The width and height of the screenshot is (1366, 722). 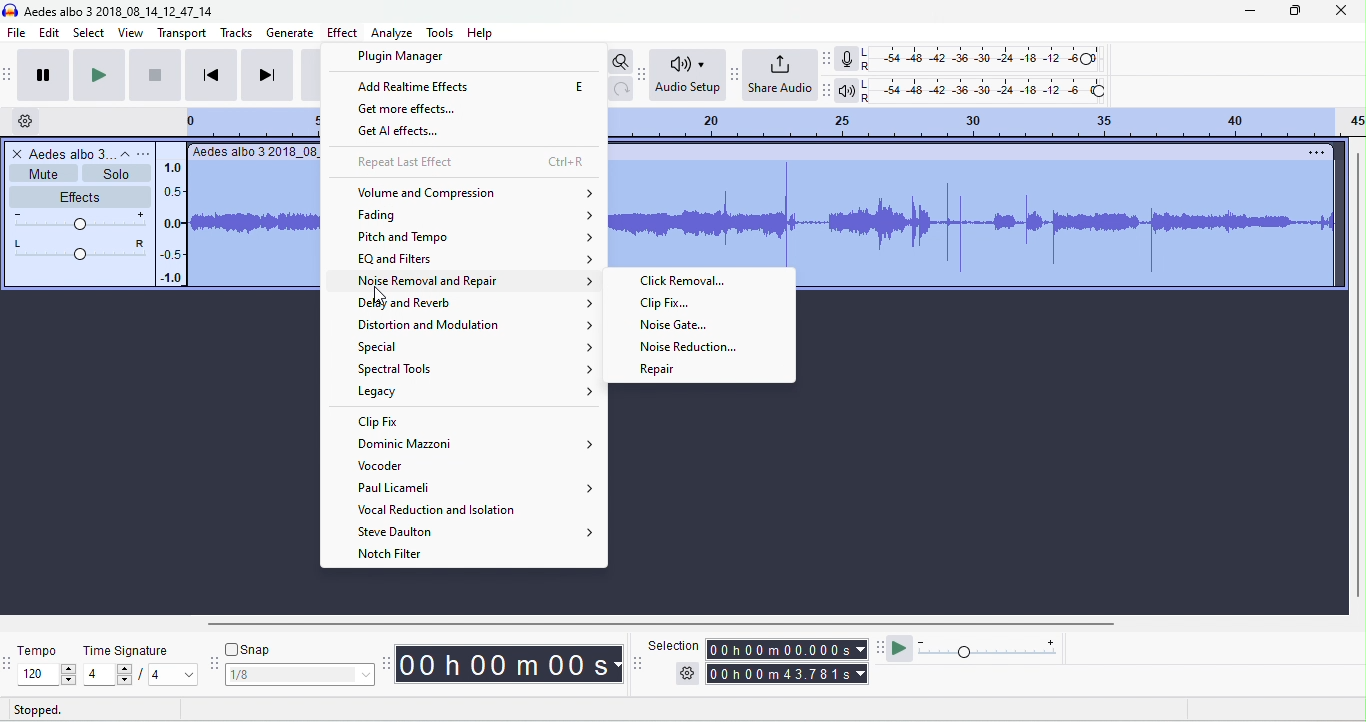 I want to click on vocoder, so click(x=400, y=468).